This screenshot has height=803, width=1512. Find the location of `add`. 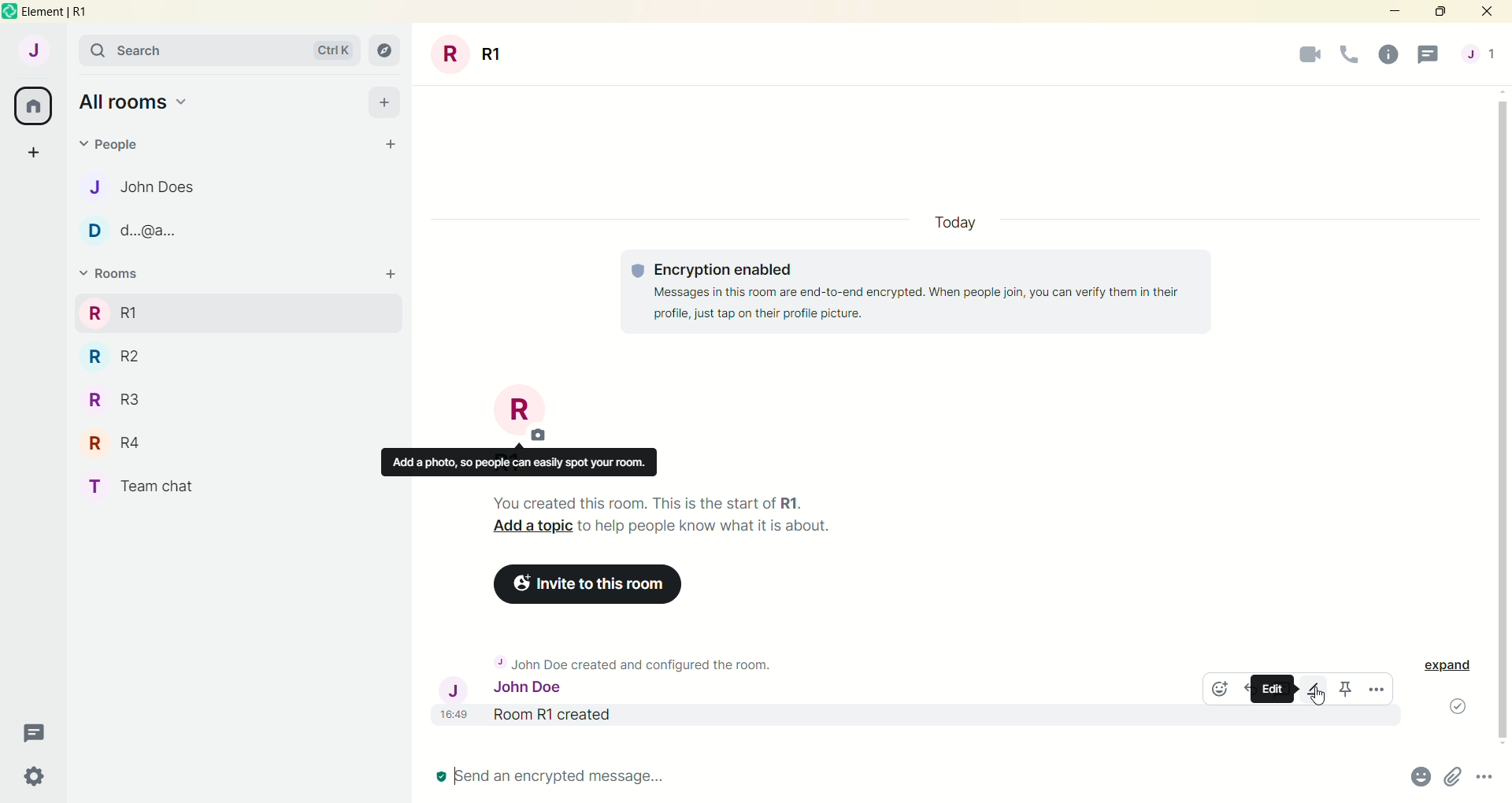

add is located at coordinates (389, 274).